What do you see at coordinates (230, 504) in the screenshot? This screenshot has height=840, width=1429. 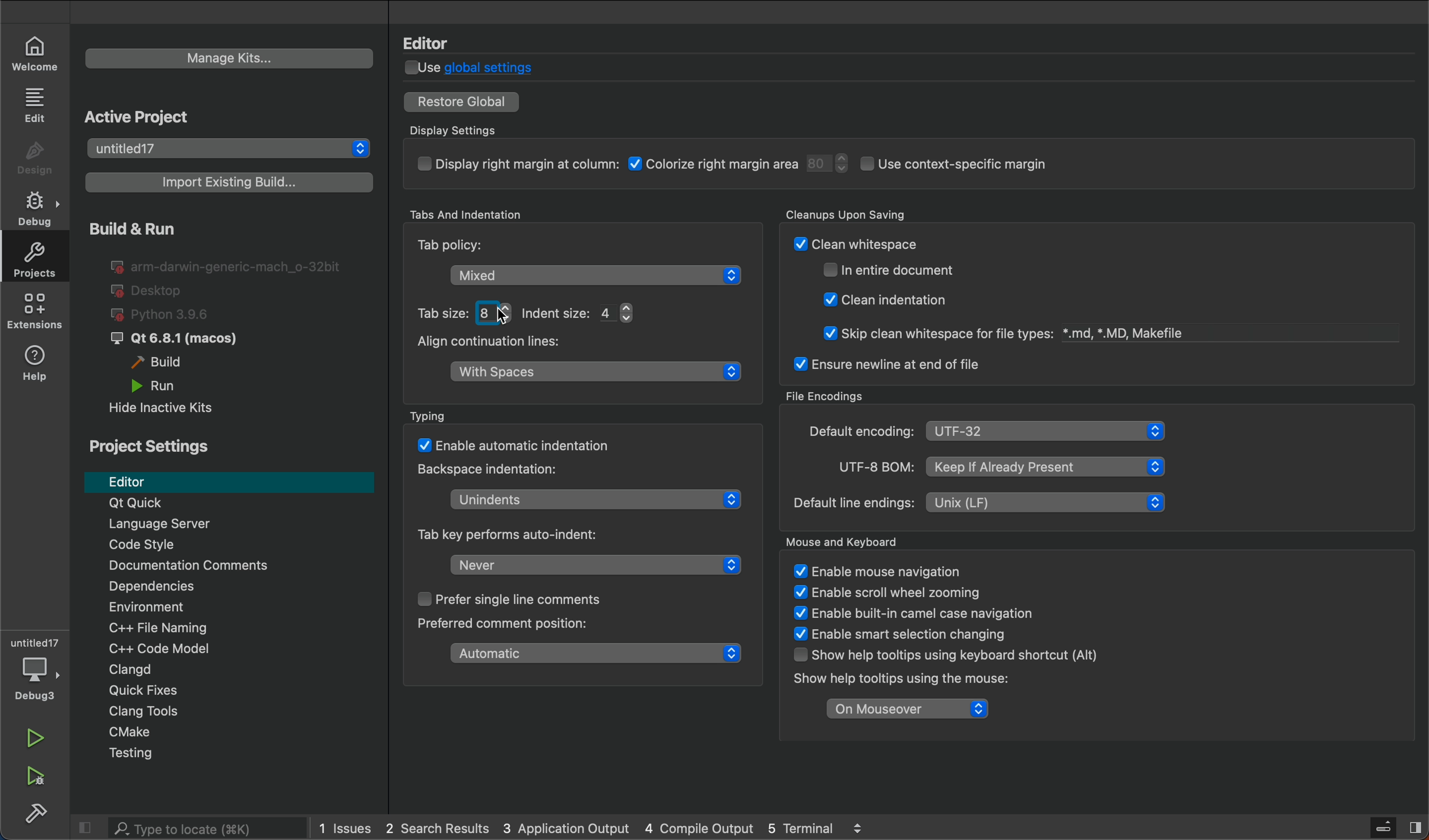 I see `Qt Quick` at bounding box center [230, 504].